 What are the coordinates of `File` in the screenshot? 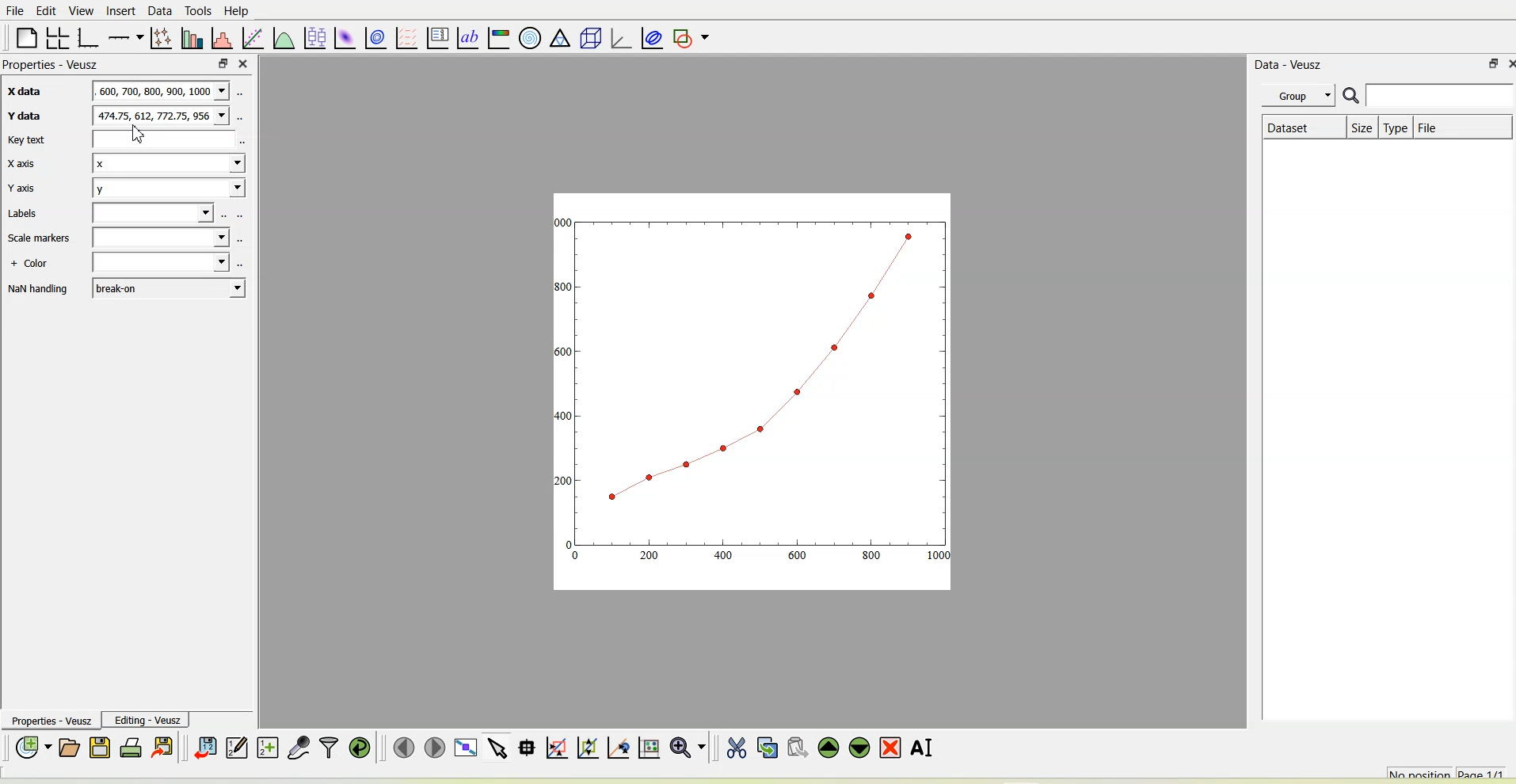 It's located at (17, 11).